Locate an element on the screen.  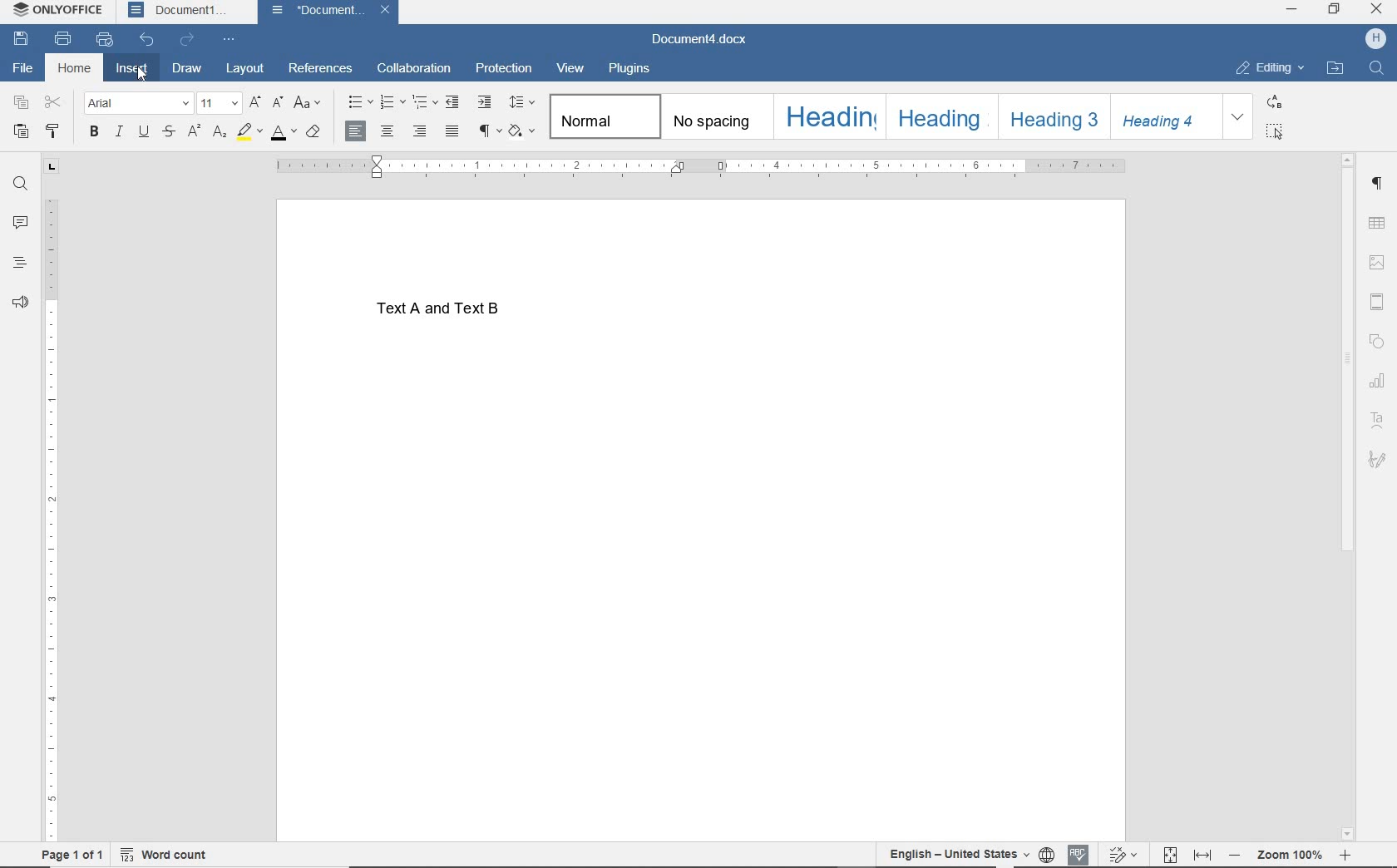
EXPAND is located at coordinates (1238, 116).